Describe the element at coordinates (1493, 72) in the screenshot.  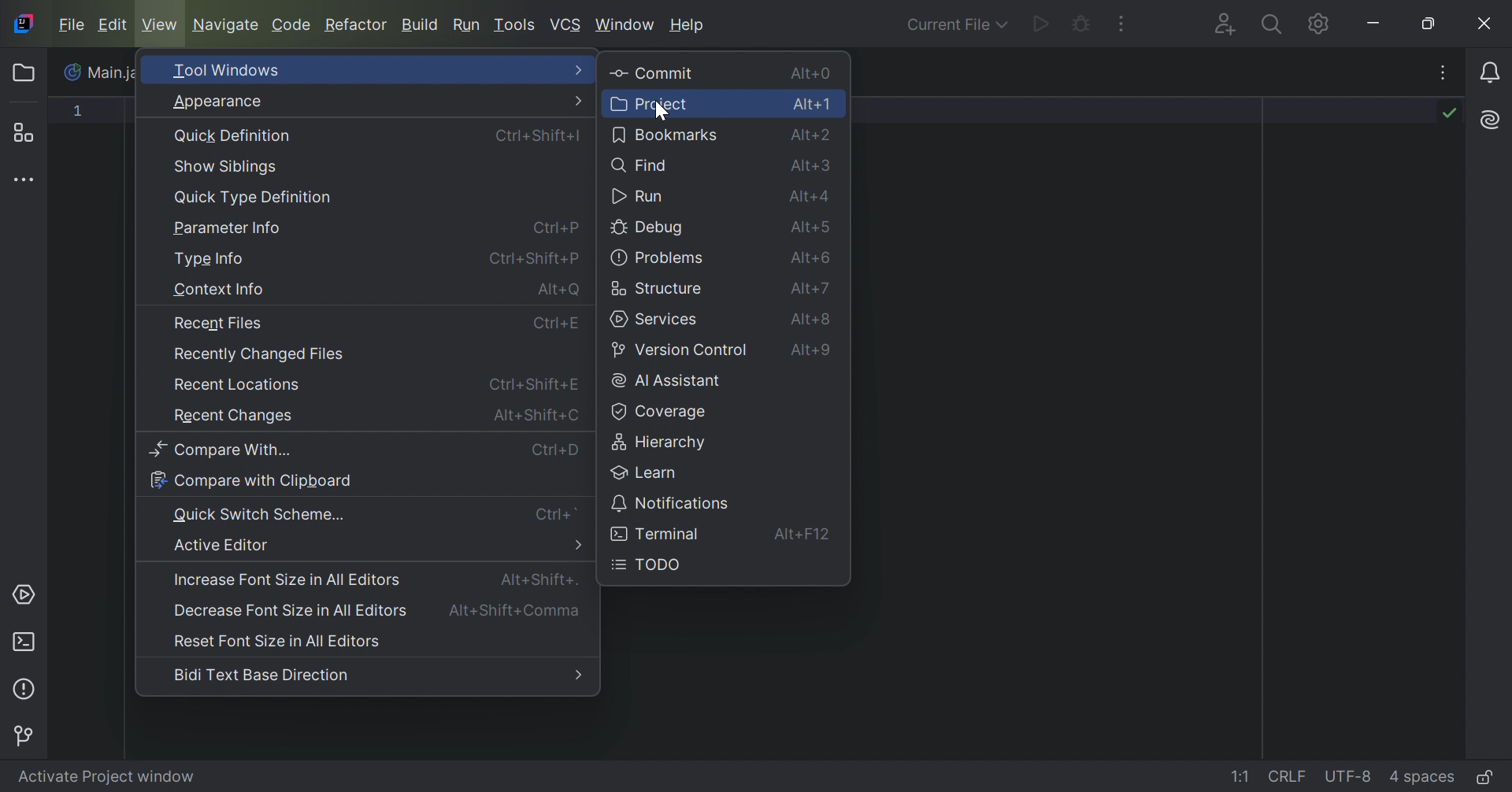
I see `Notifications` at that location.